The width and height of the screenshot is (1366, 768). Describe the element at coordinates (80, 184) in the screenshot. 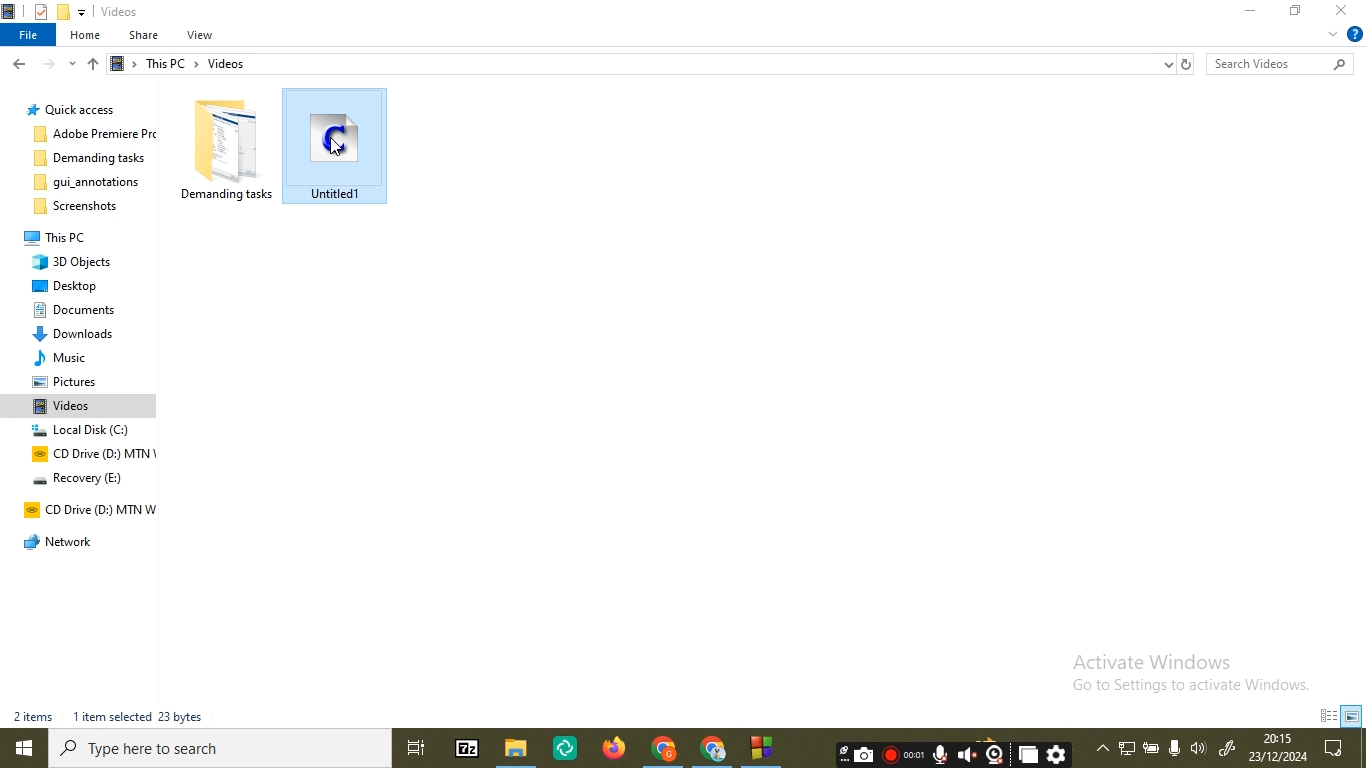

I see `folder` at that location.